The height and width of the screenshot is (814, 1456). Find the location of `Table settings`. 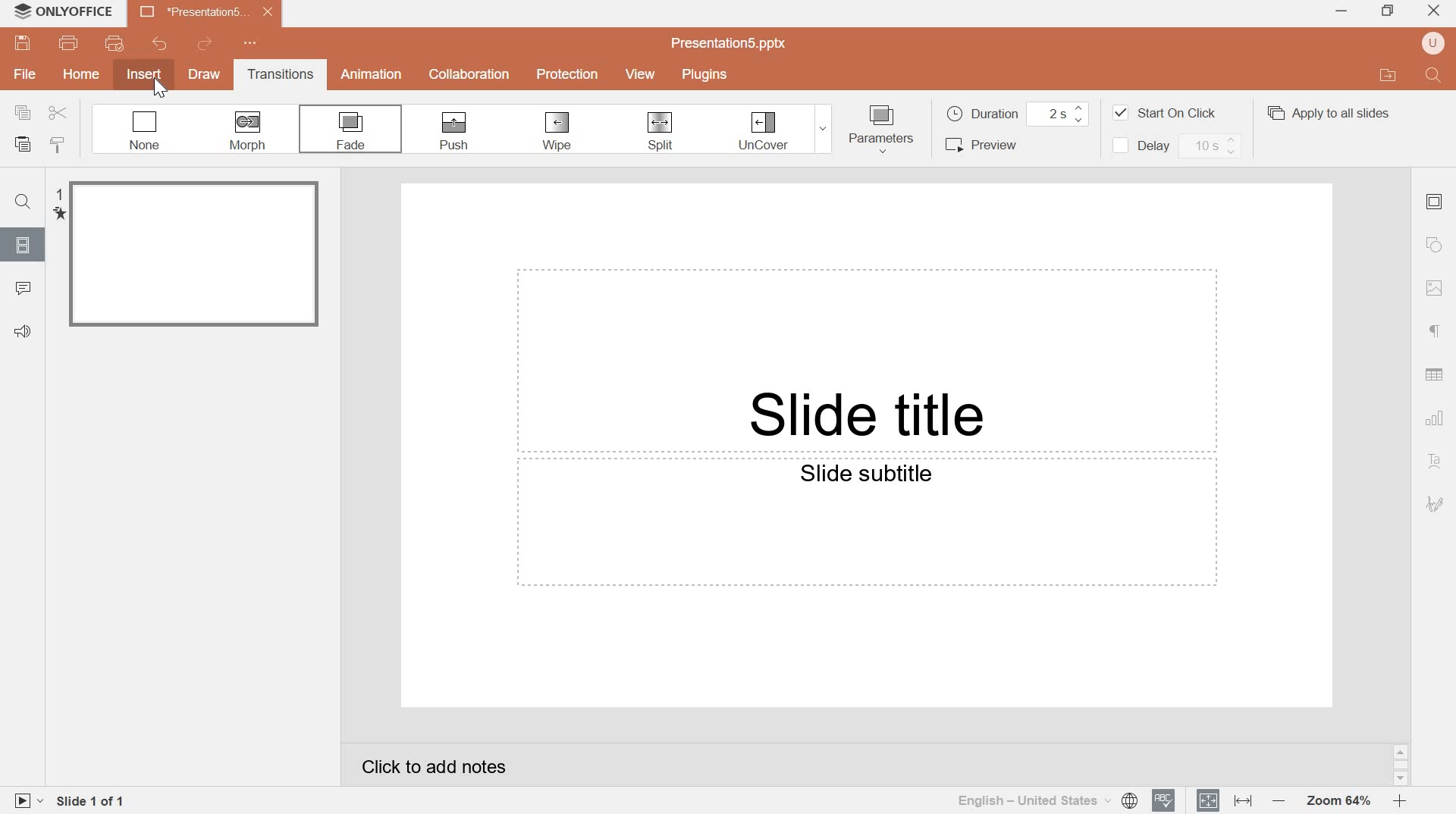

Table settings is located at coordinates (1434, 374).